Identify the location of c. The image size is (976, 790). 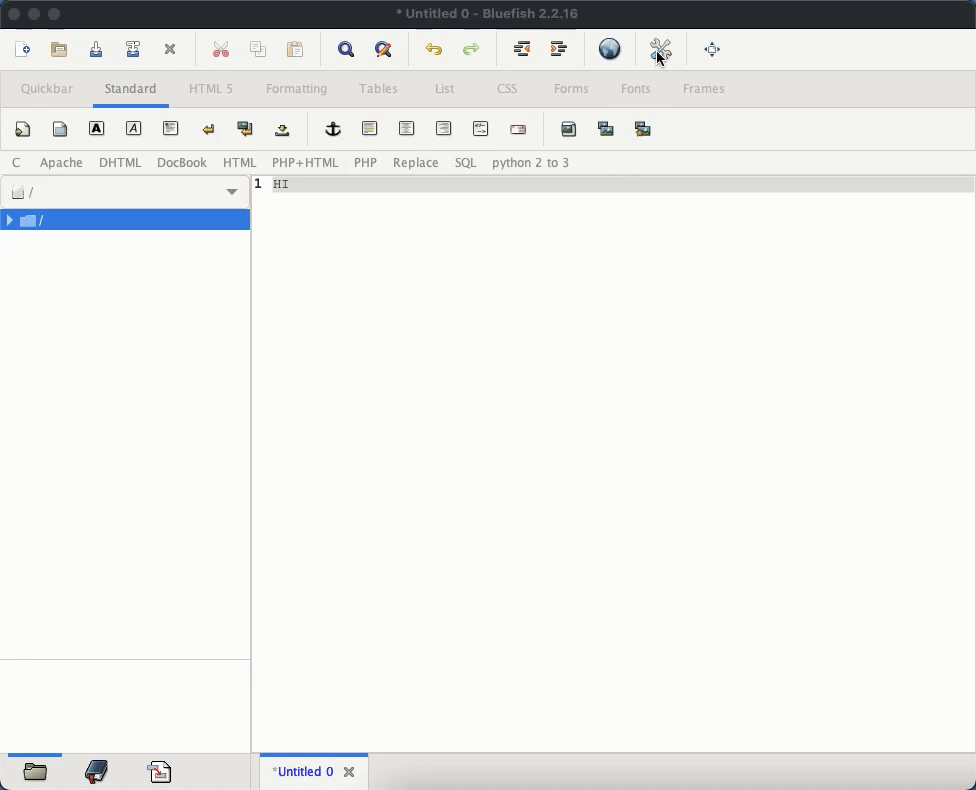
(18, 162).